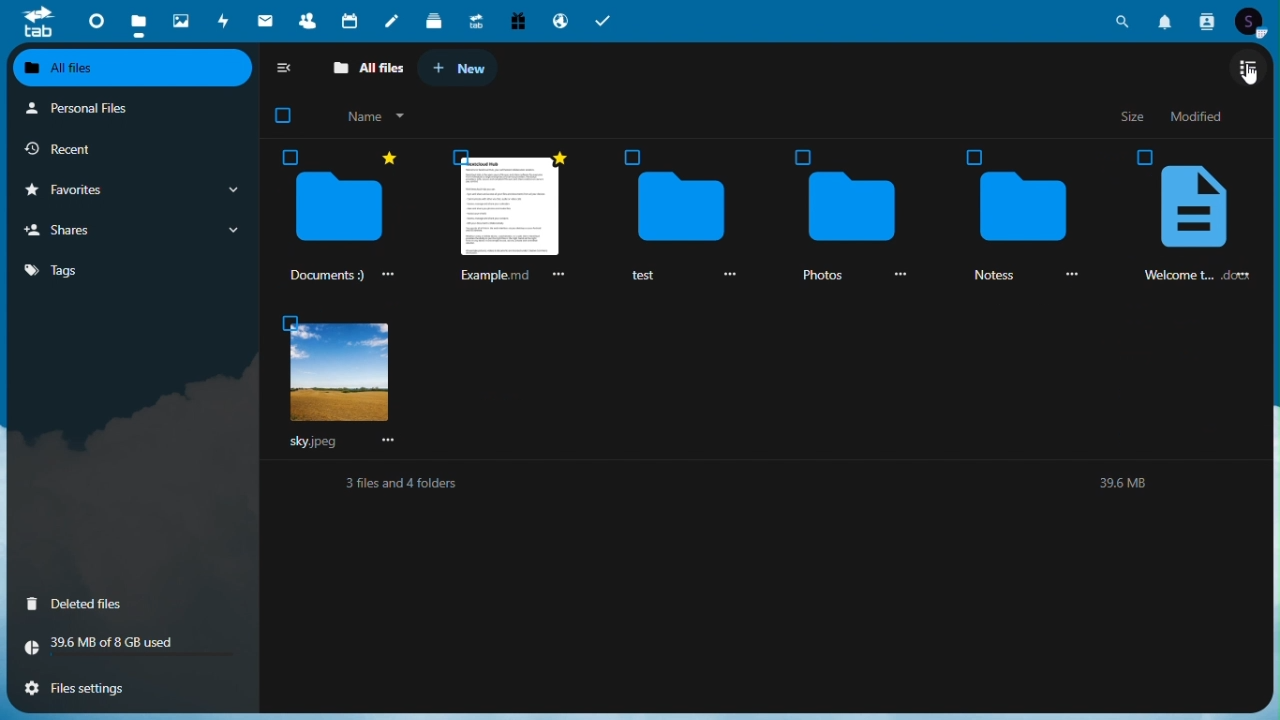 The height and width of the screenshot is (720, 1280). Describe the element at coordinates (974, 155) in the screenshot. I see `checkbox` at that location.